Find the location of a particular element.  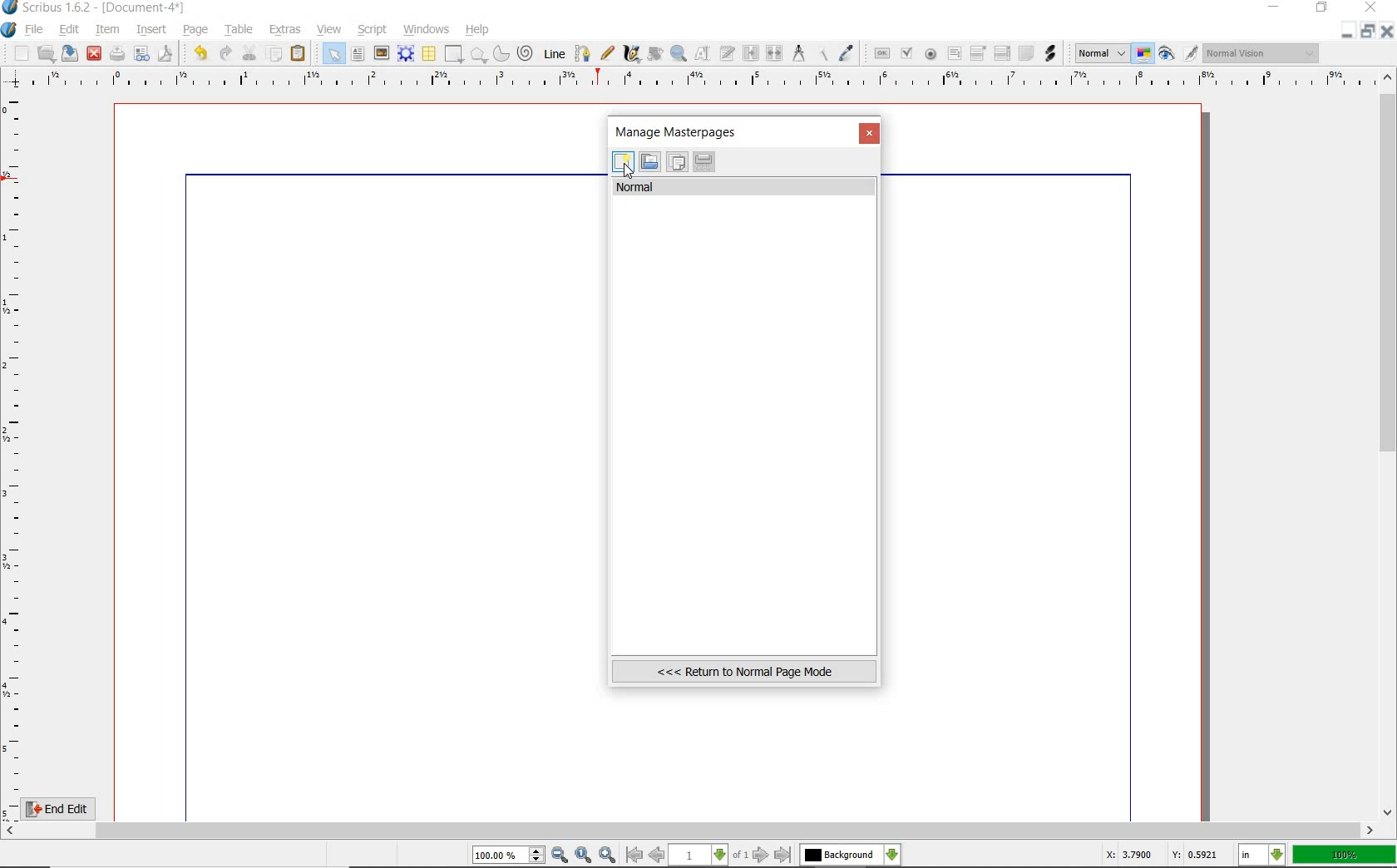

windows is located at coordinates (426, 28).